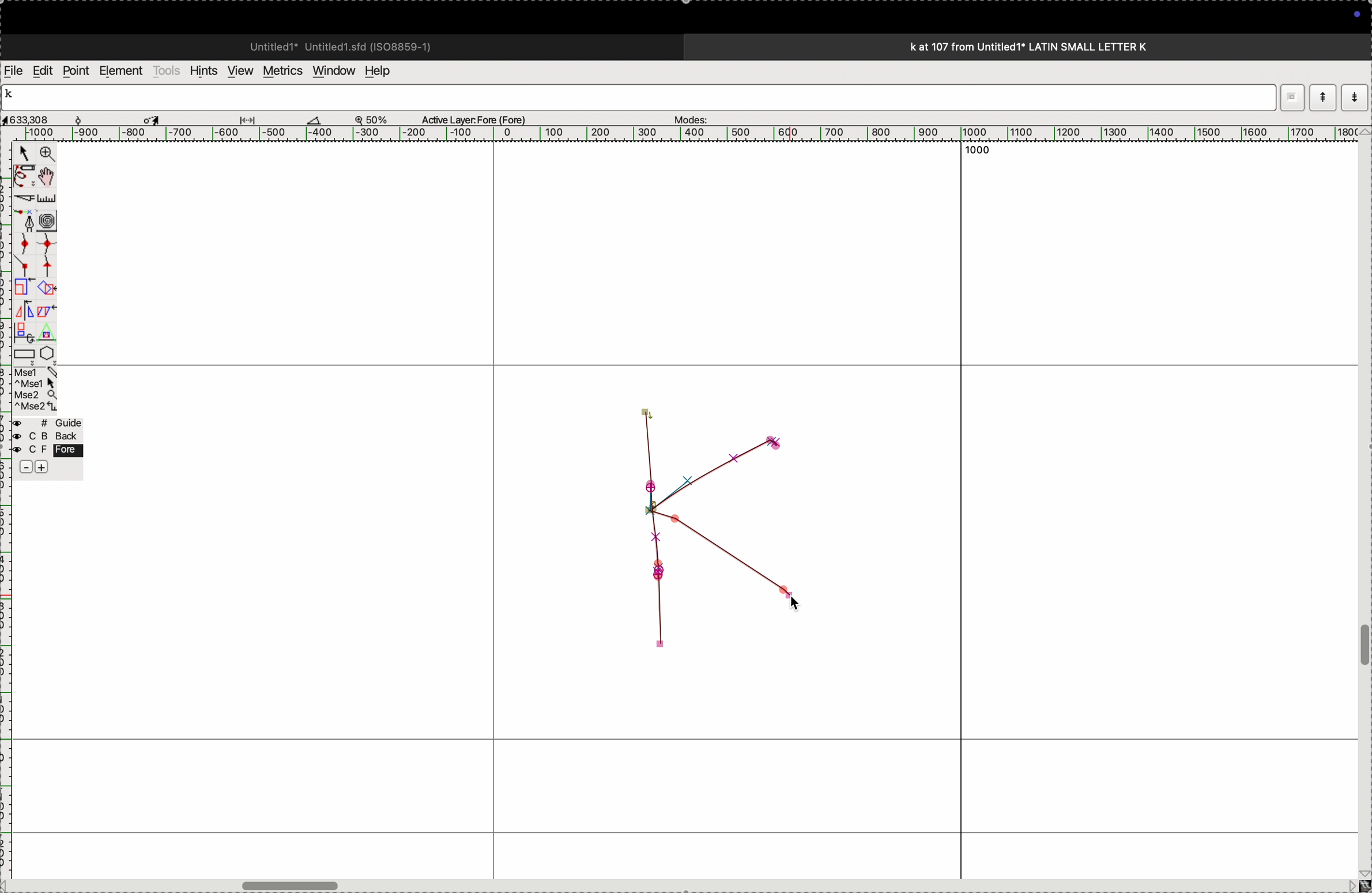  Describe the element at coordinates (47, 446) in the screenshot. I see `Guide` at that location.